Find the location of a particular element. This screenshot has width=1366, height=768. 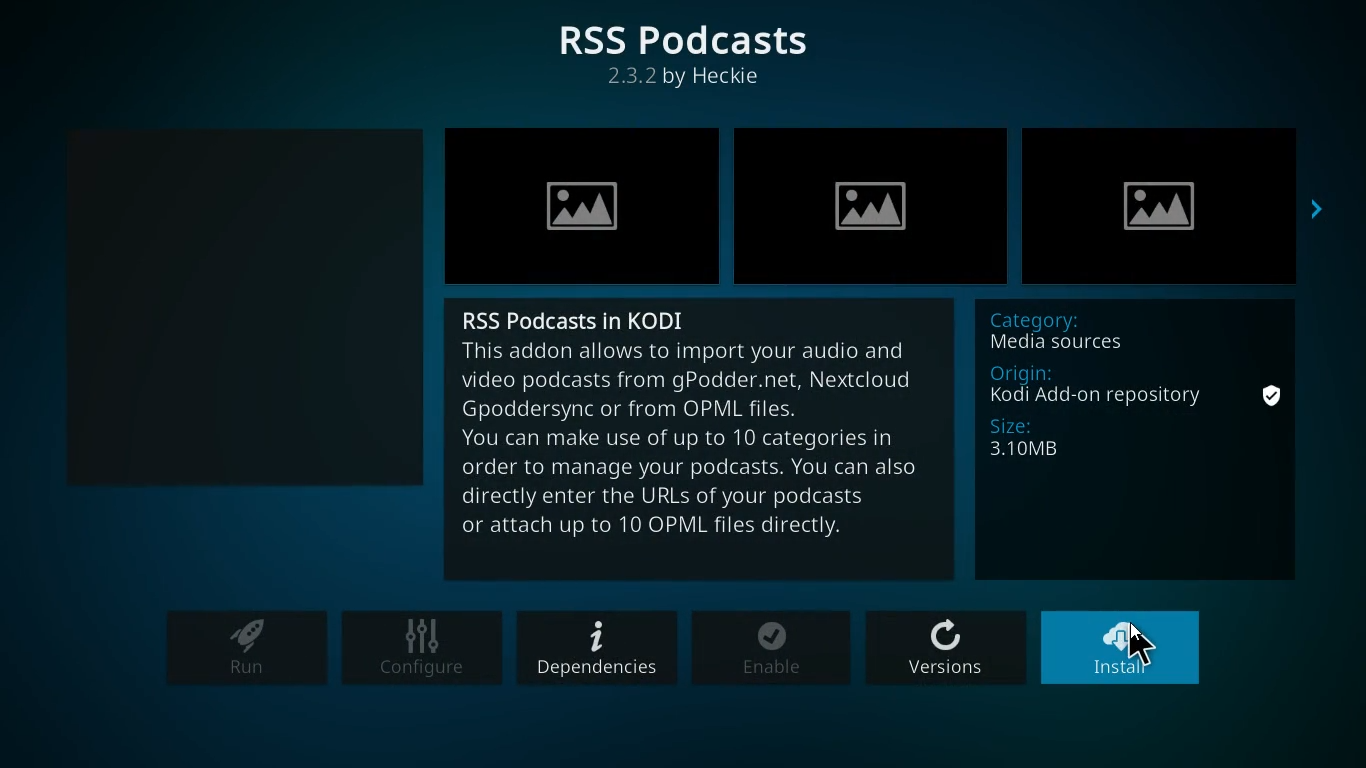

enable is located at coordinates (773, 650).